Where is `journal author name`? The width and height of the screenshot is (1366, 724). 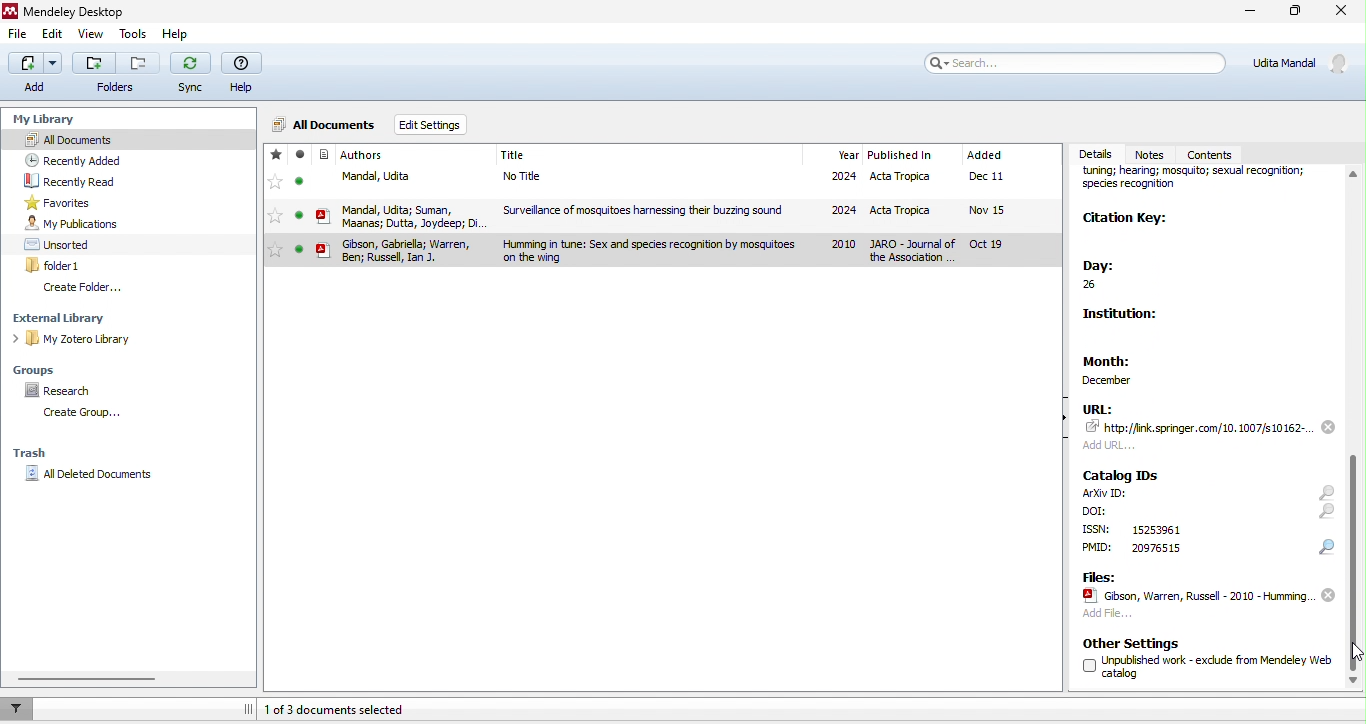
journal author name is located at coordinates (363, 155).